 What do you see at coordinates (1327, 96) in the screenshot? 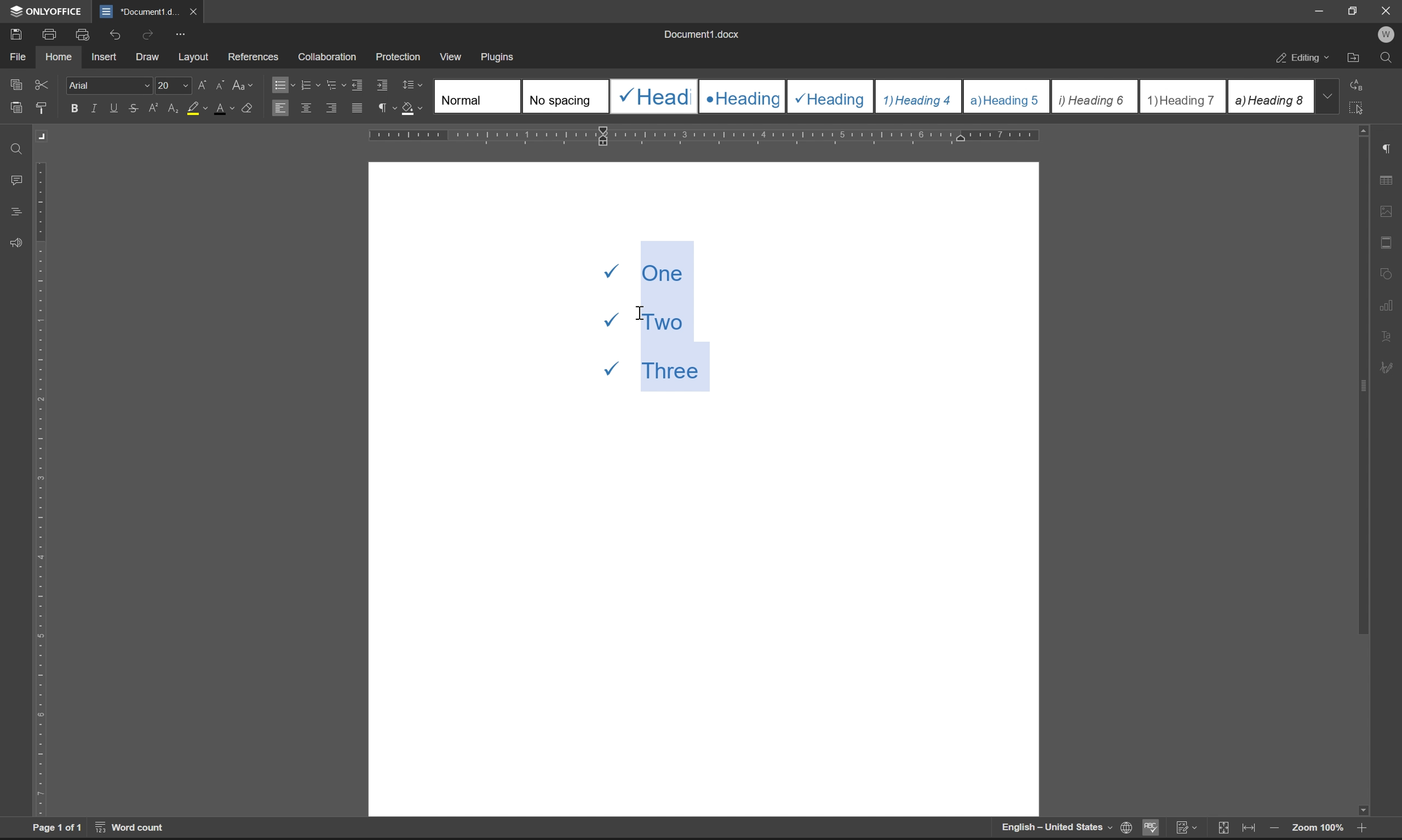
I see `drop down` at bounding box center [1327, 96].